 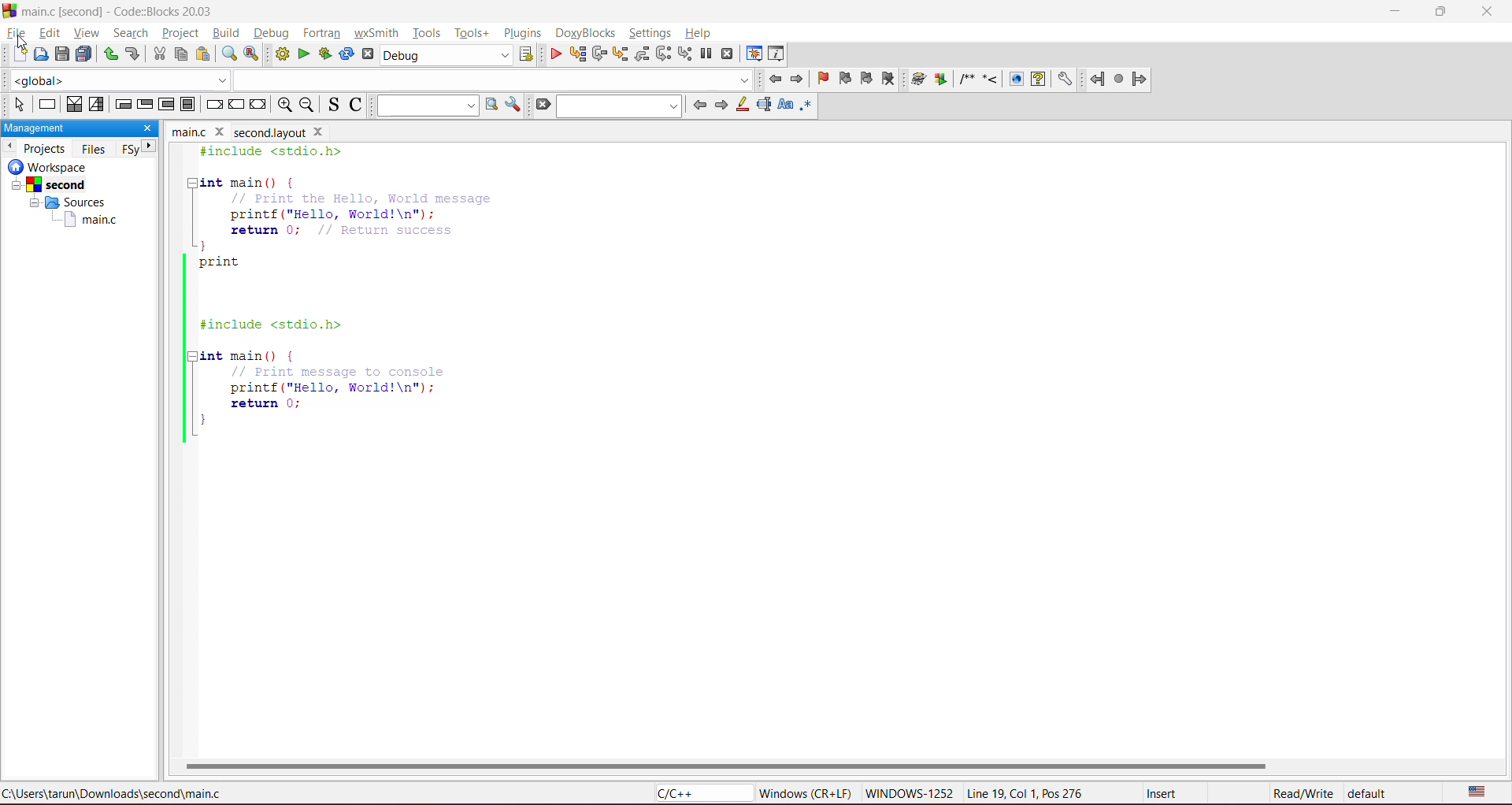 What do you see at coordinates (272, 33) in the screenshot?
I see `debug` at bounding box center [272, 33].